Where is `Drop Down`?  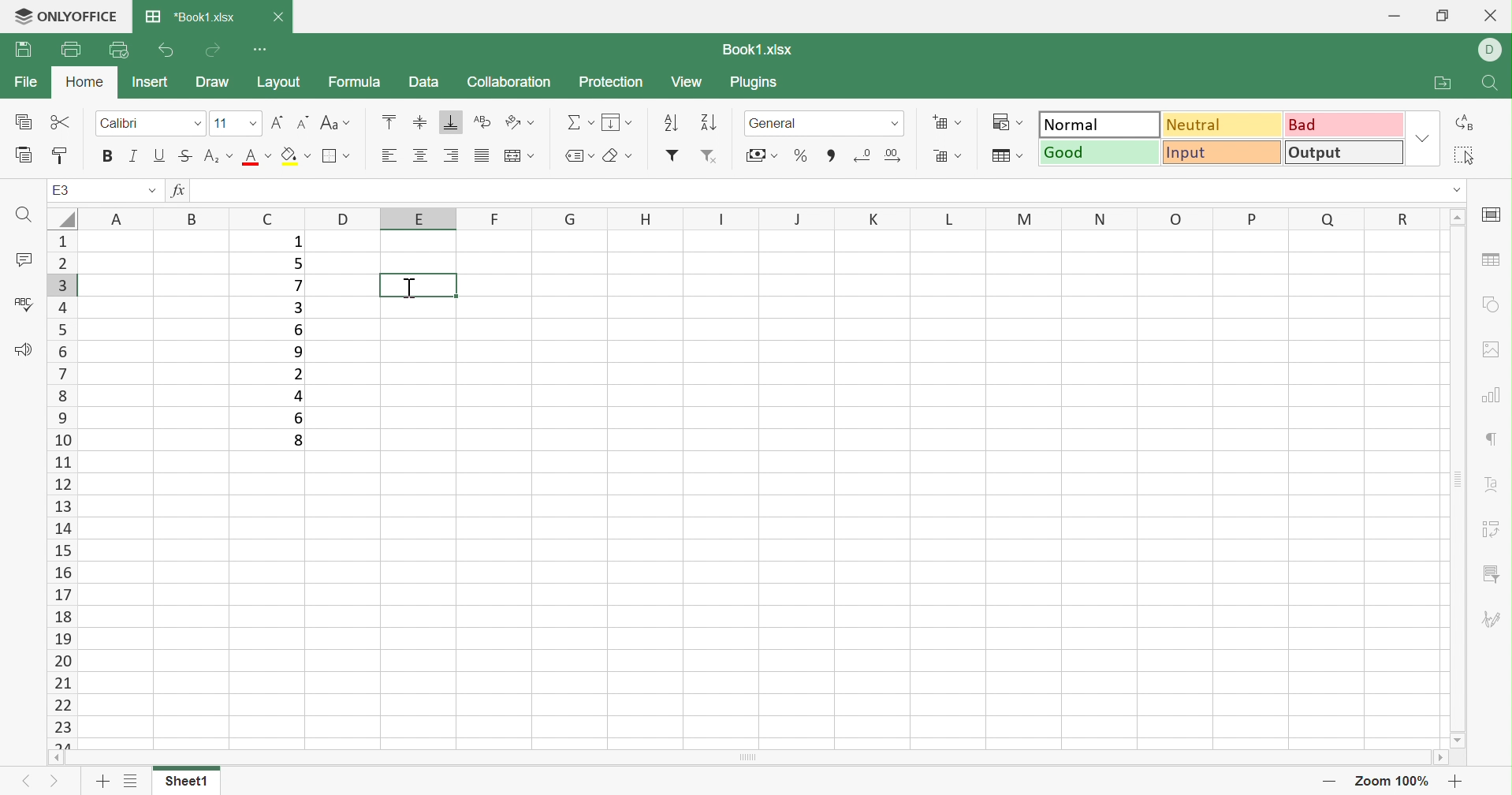
Drop Down is located at coordinates (1458, 192).